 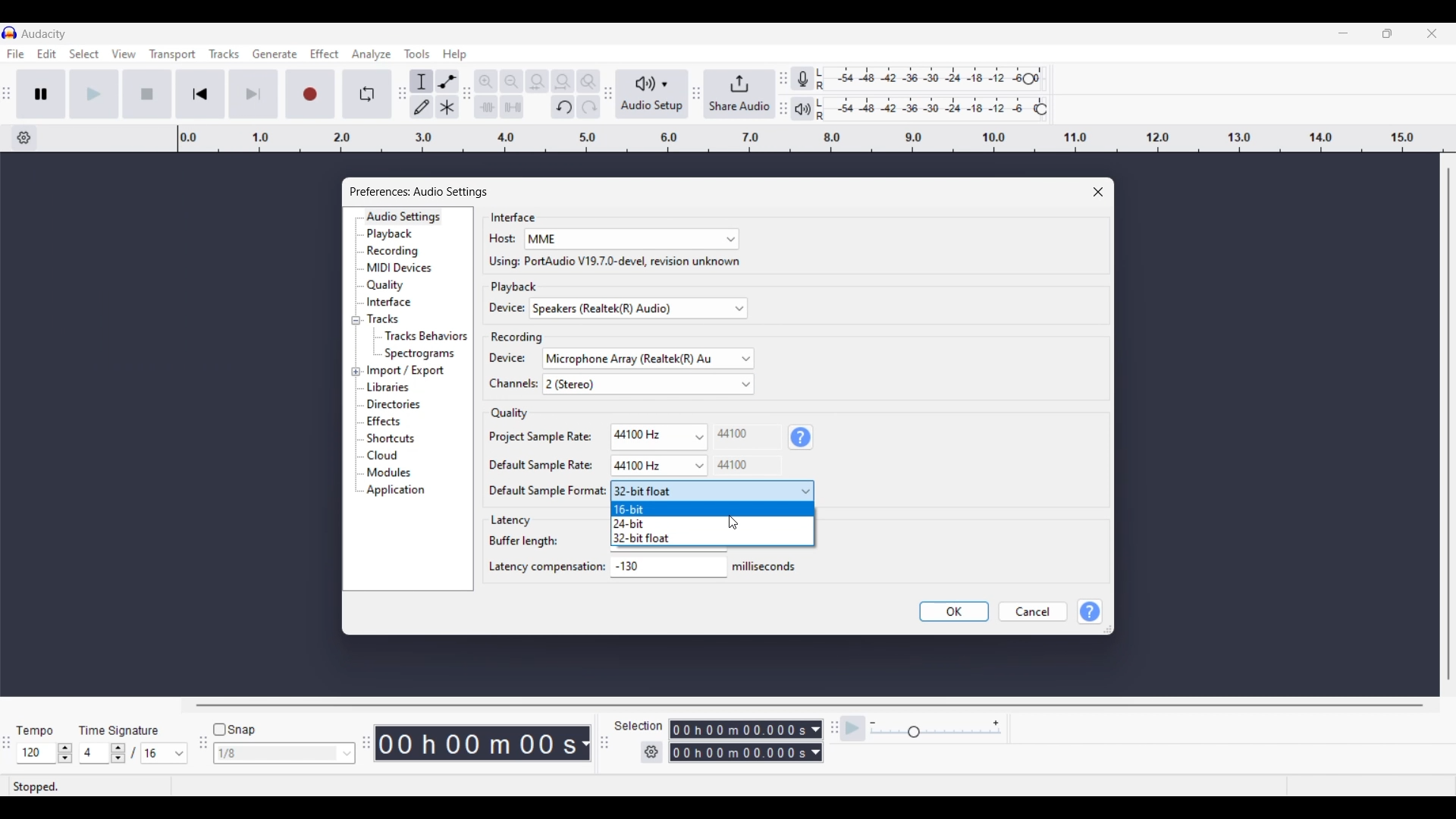 What do you see at coordinates (400, 491) in the screenshot?
I see `Application` at bounding box center [400, 491].